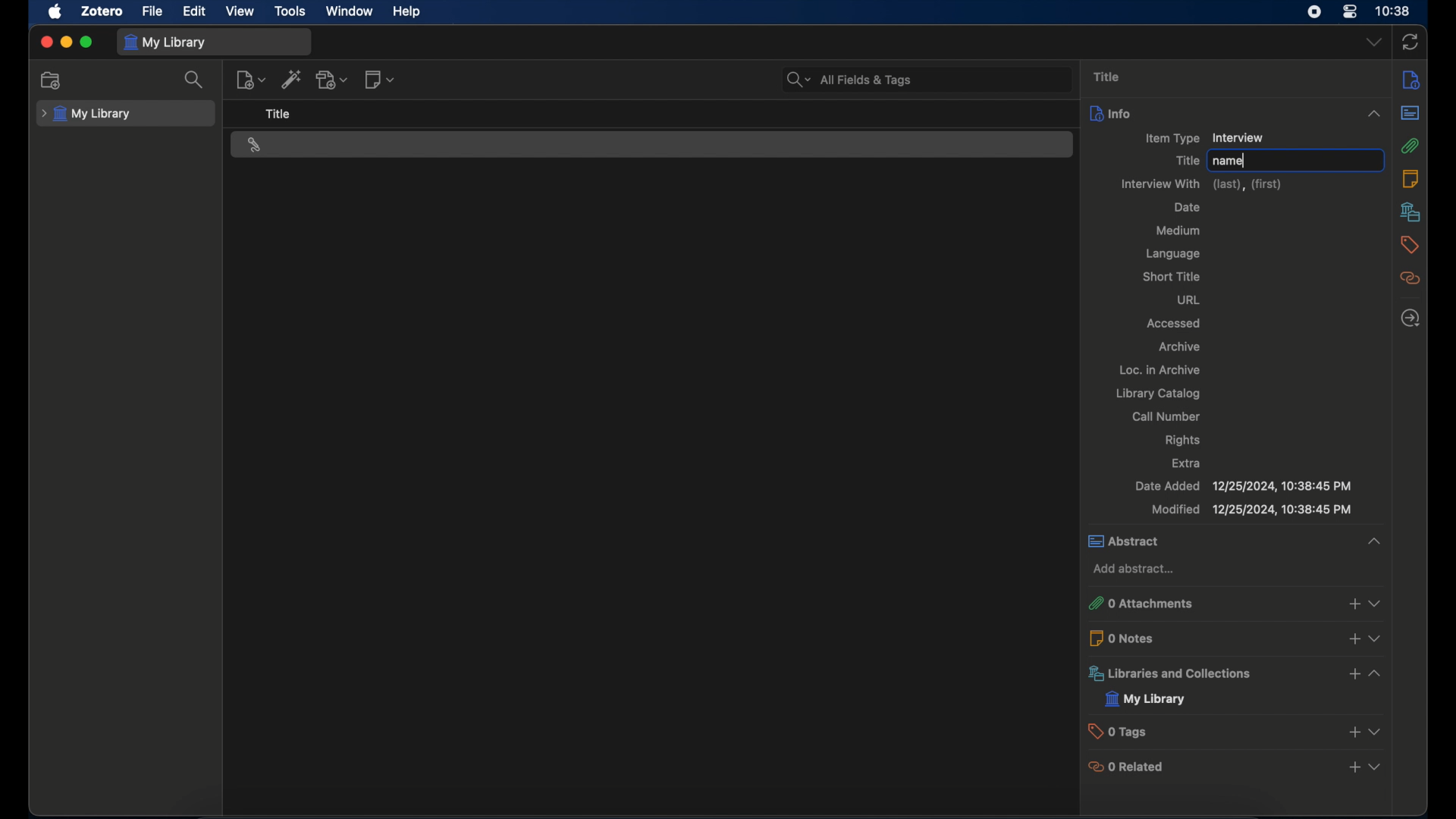  Describe the element at coordinates (1355, 767) in the screenshot. I see `add` at that location.